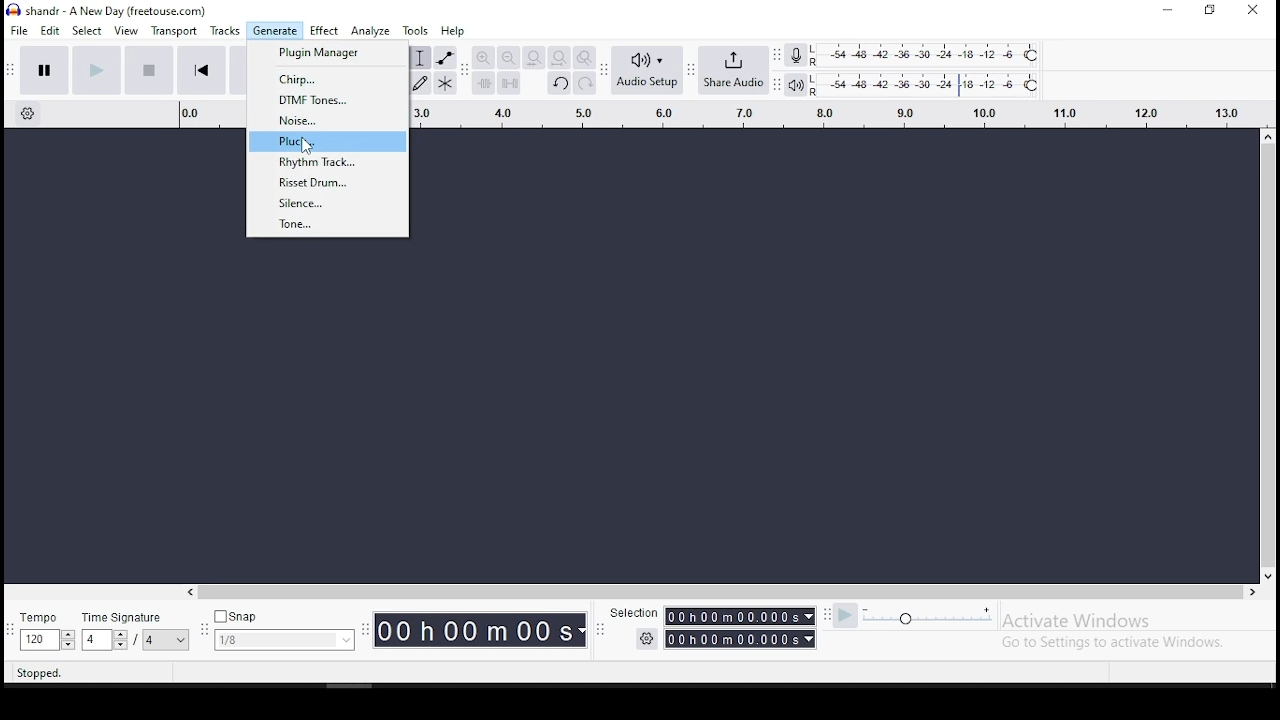  Describe the element at coordinates (453, 30) in the screenshot. I see `help` at that location.